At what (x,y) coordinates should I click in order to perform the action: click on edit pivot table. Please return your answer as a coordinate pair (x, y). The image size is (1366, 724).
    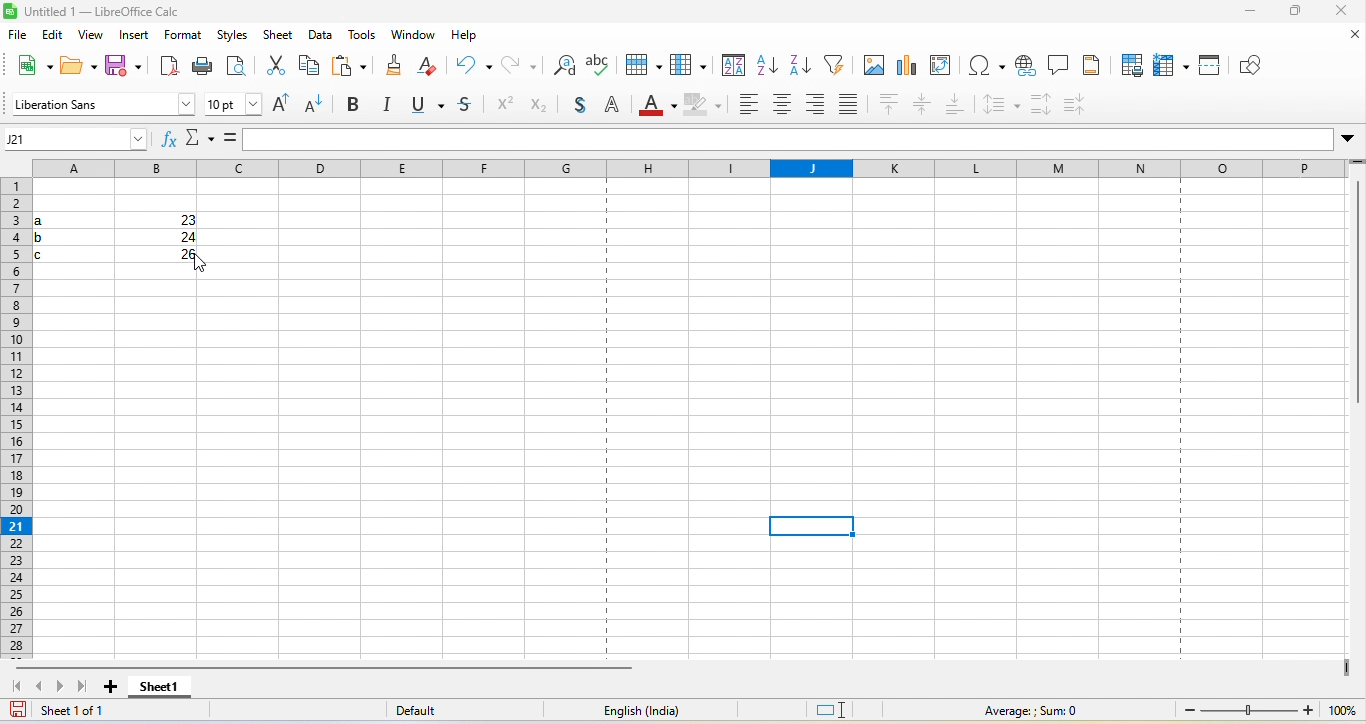
    Looking at the image, I should click on (941, 65).